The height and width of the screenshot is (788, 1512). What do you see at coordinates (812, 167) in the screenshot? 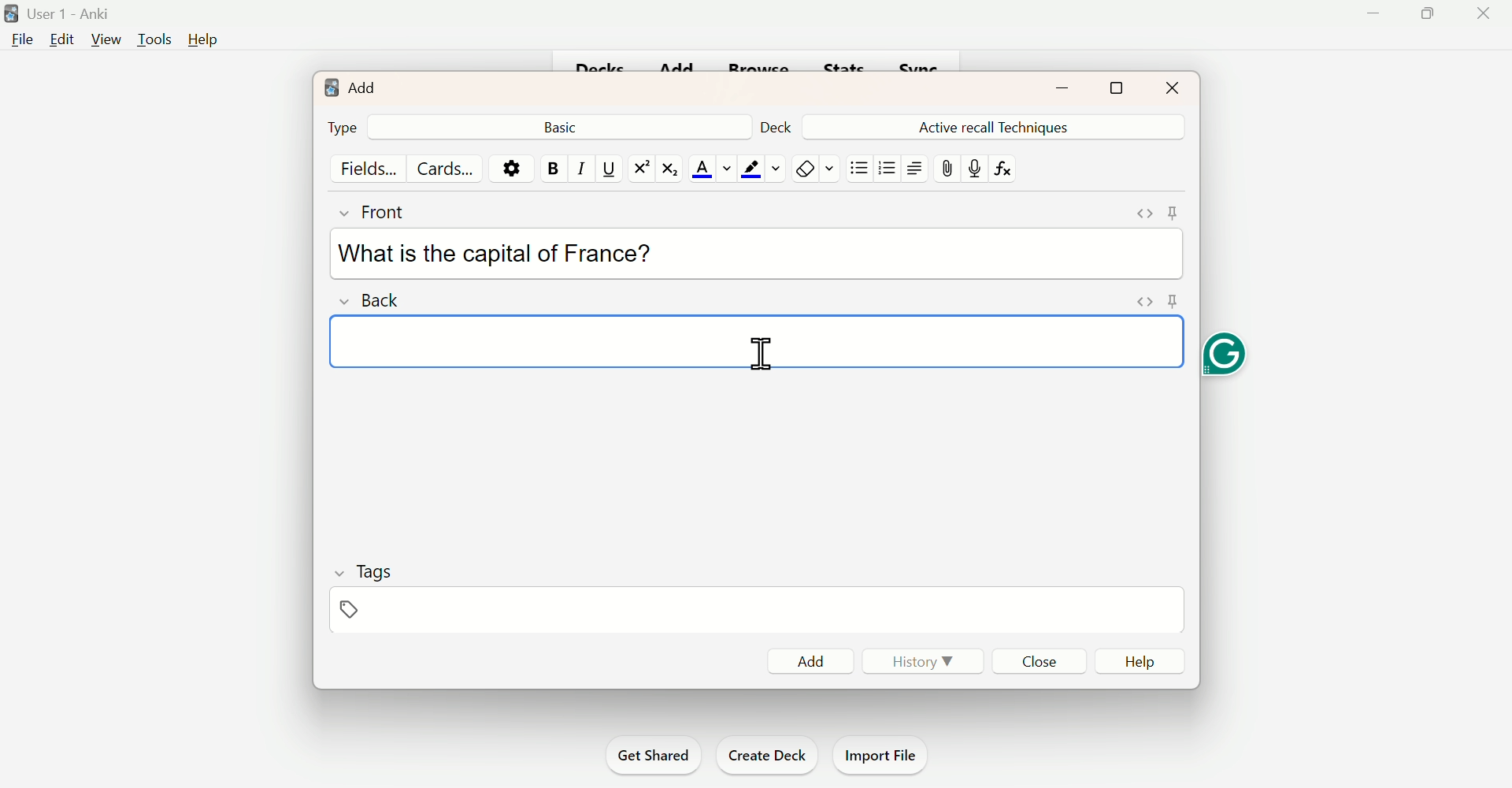
I see `Remove Formatting` at bounding box center [812, 167].